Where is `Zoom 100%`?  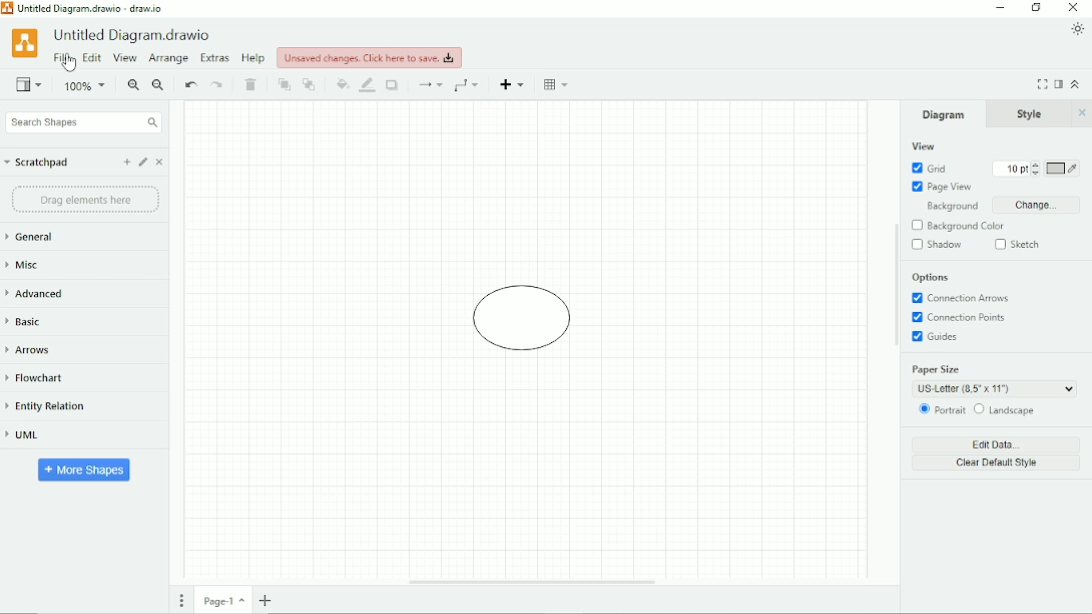 Zoom 100% is located at coordinates (85, 87).